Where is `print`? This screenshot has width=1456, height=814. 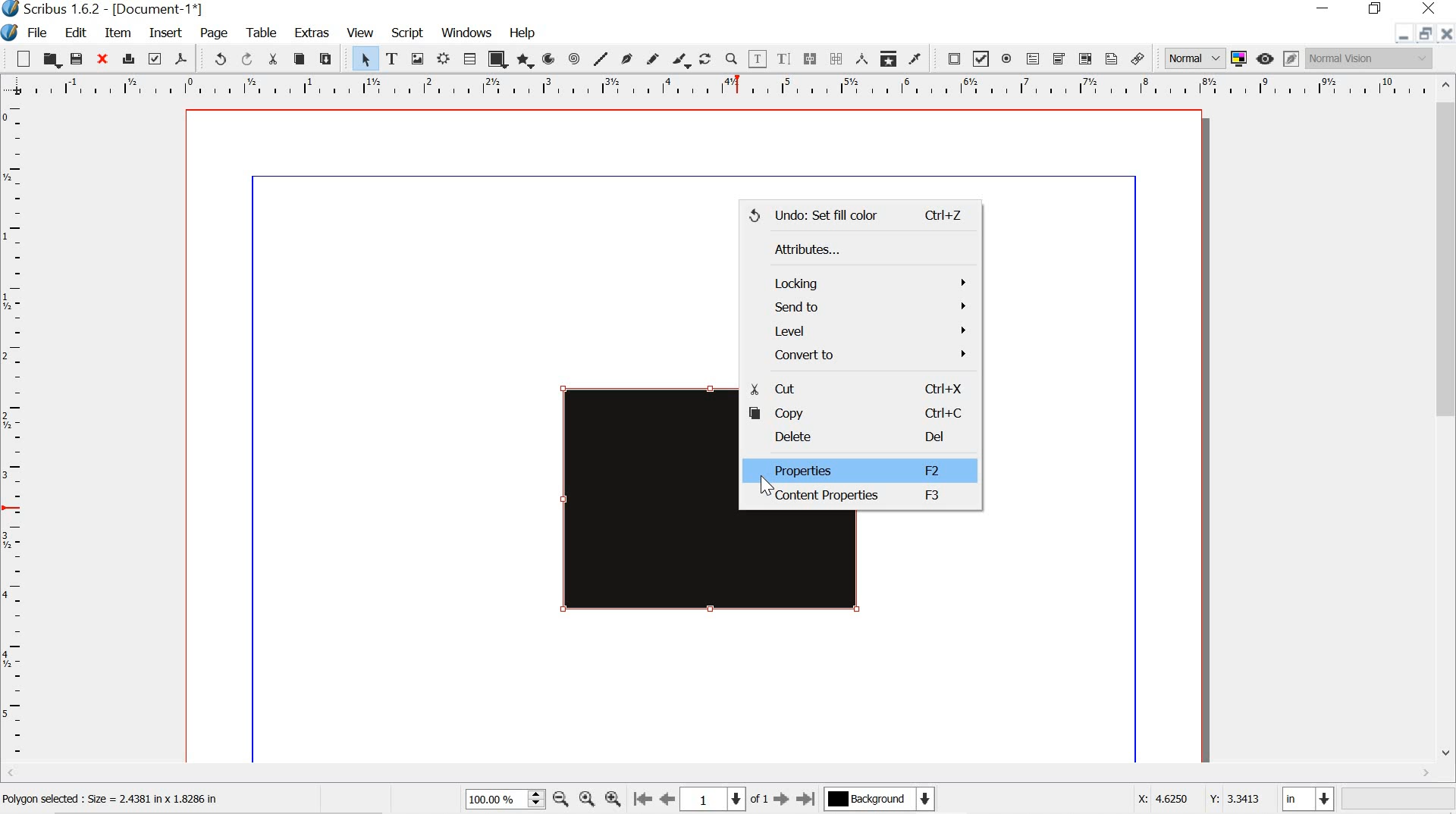
print is located at coordinates (127, 58).